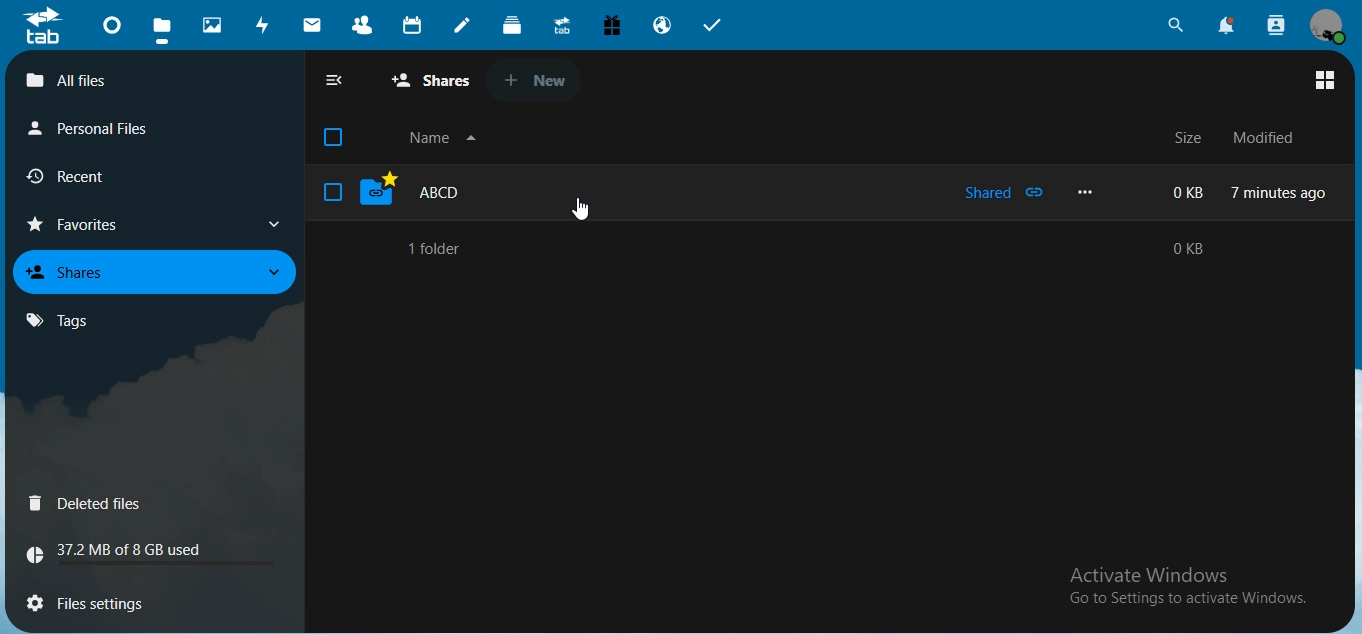 The image size is (1362, 634). I want to click on icon, so click(42, 26).